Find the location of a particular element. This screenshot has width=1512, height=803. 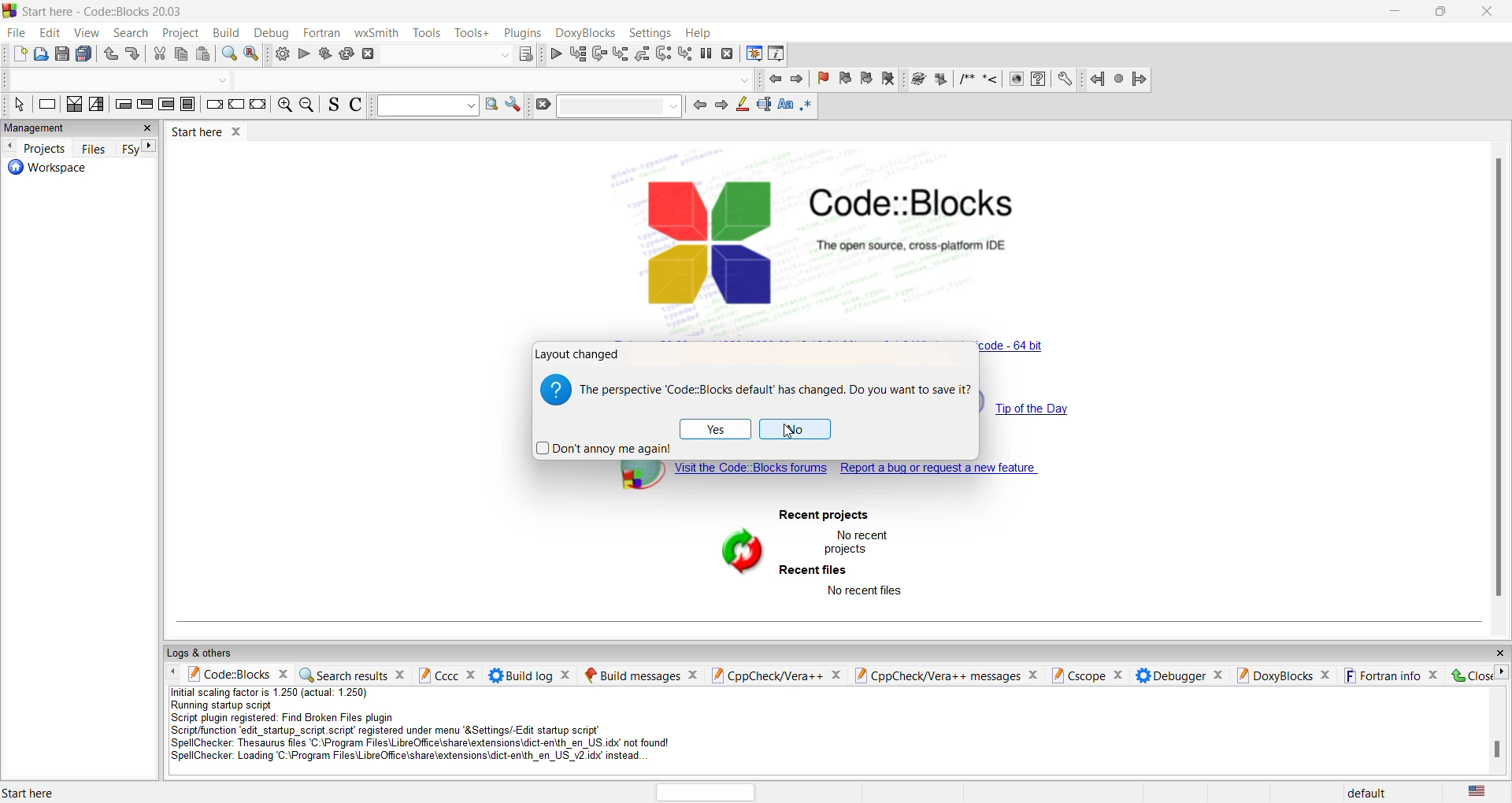

recent files is located at coordinates (814, 571).